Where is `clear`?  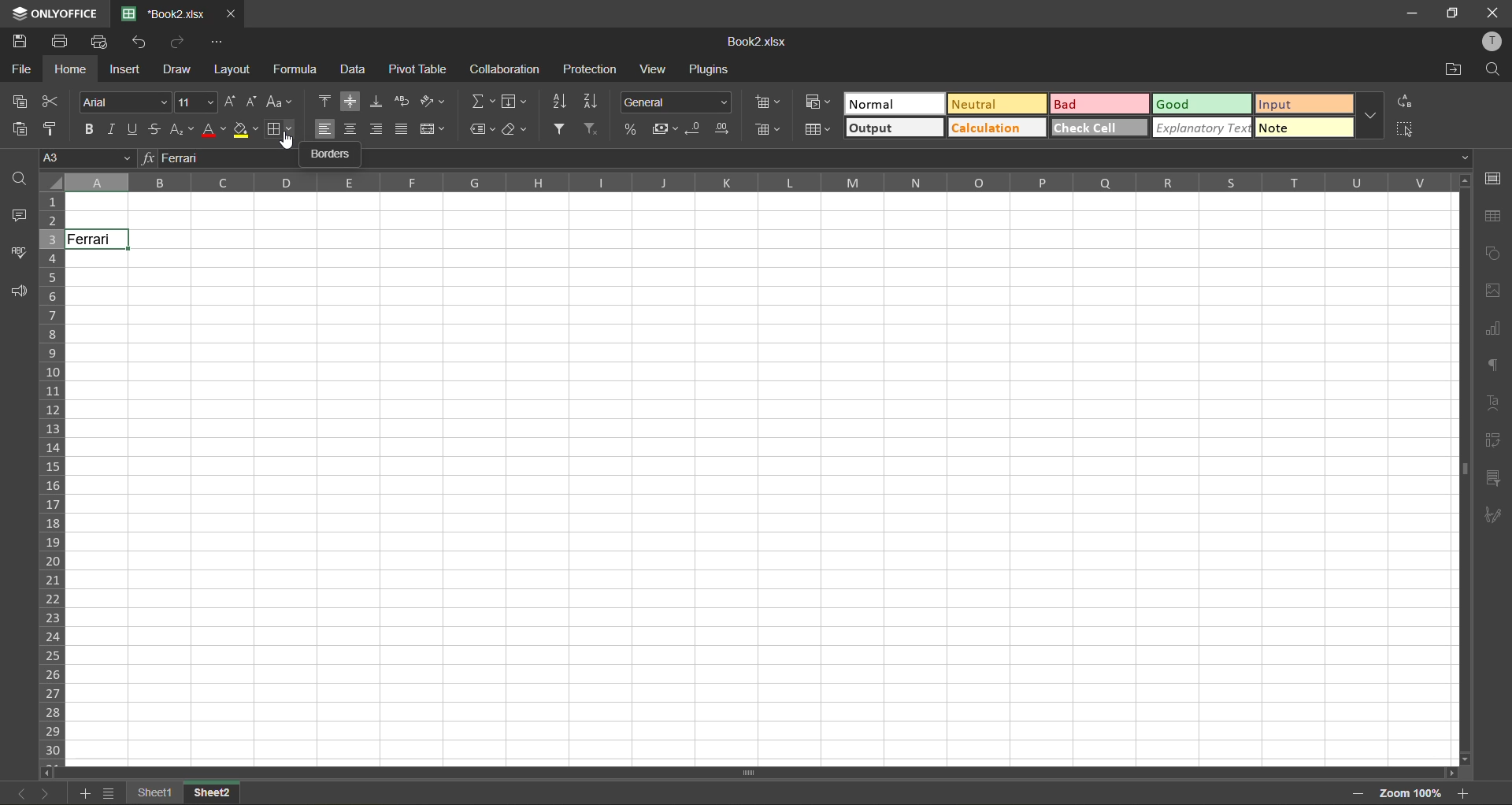
clear is located at coordinates (517, 133).